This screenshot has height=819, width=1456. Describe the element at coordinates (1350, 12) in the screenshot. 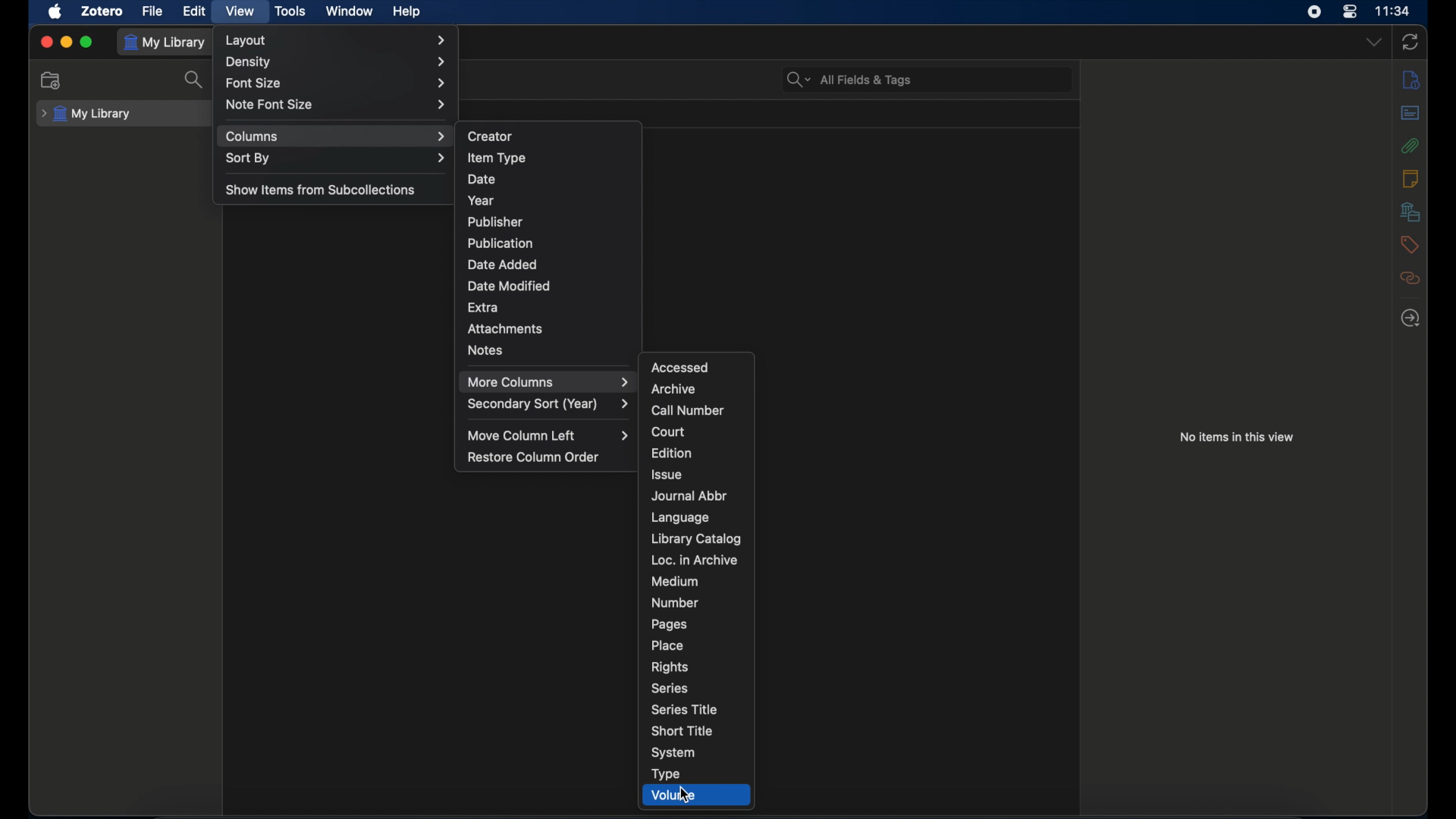

I see `control center` at that location.